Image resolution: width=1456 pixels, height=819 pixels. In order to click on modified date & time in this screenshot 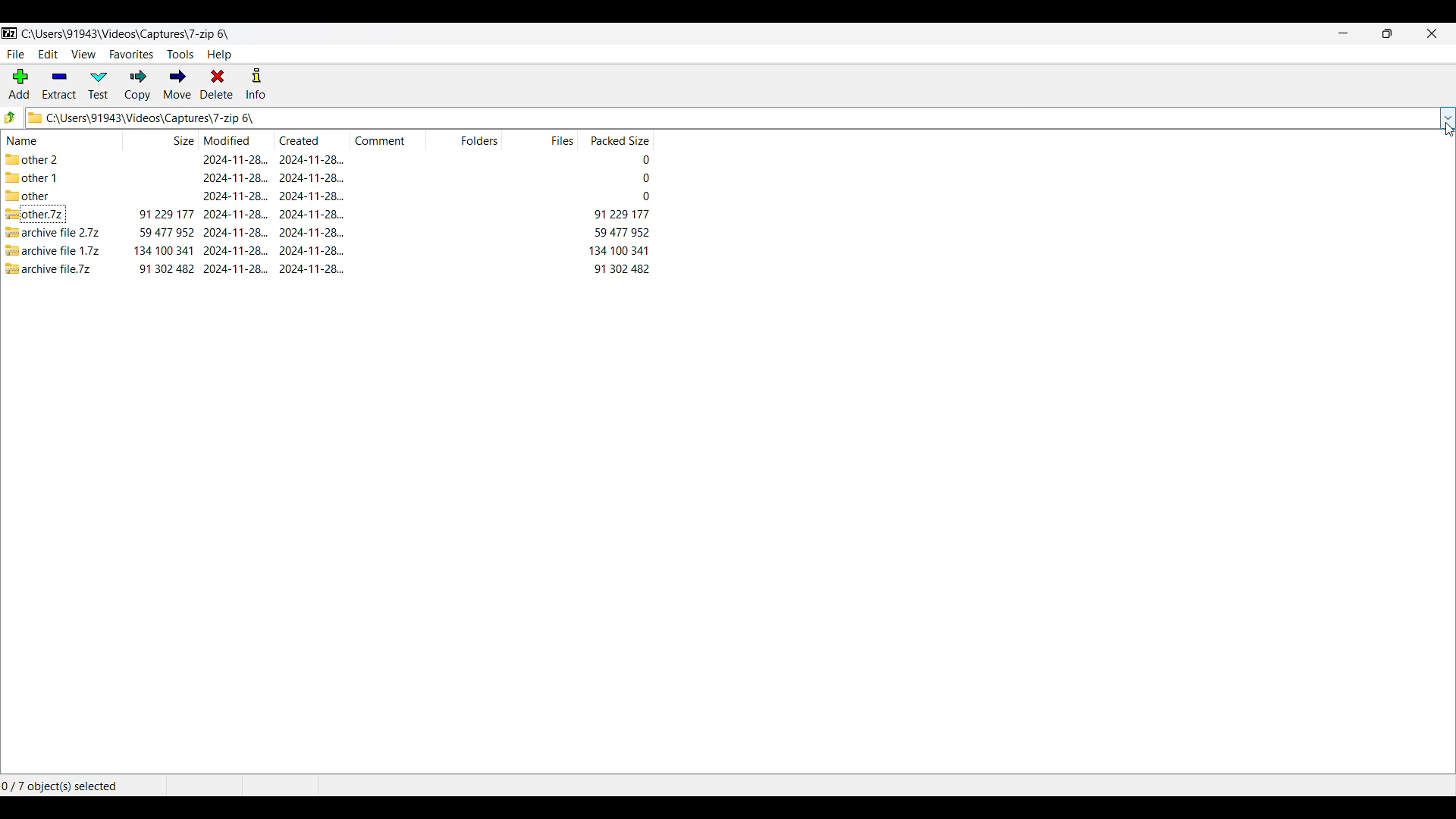, I will do `click(237, 251)`.